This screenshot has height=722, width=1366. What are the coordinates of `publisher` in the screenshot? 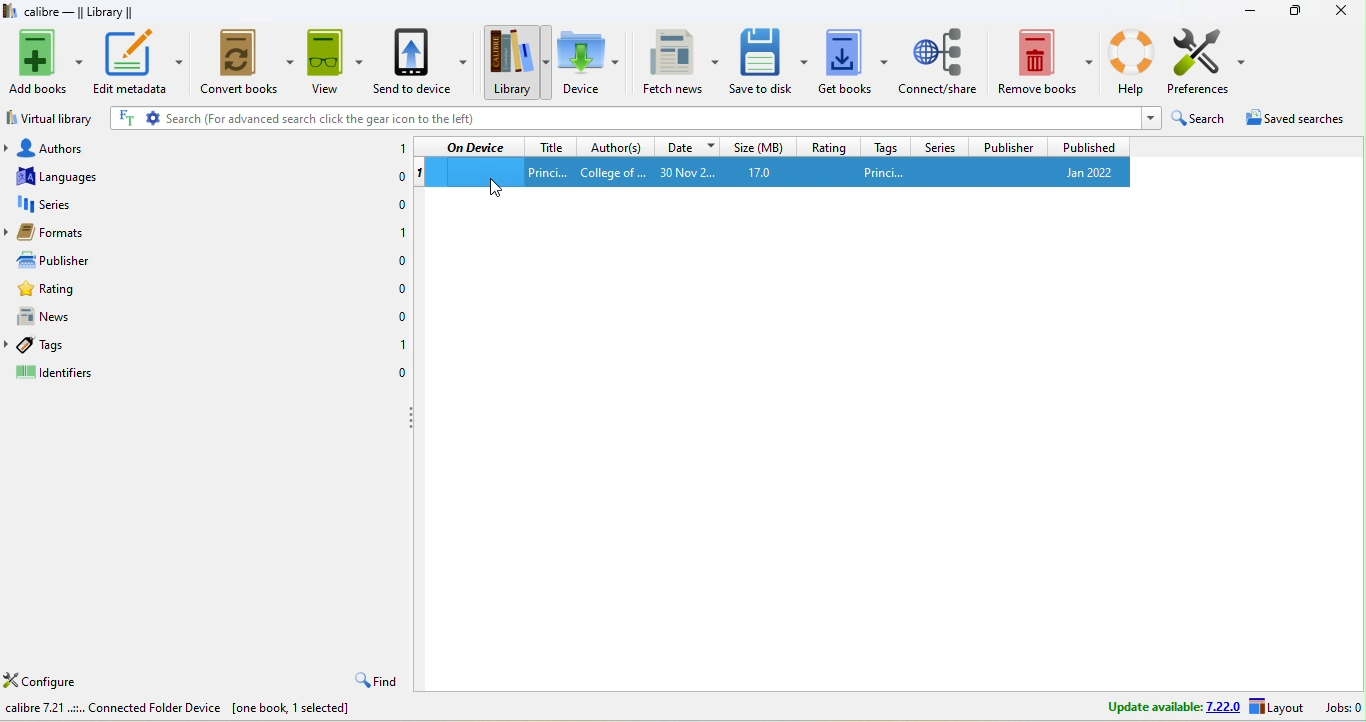 It's located at (1006, 146).